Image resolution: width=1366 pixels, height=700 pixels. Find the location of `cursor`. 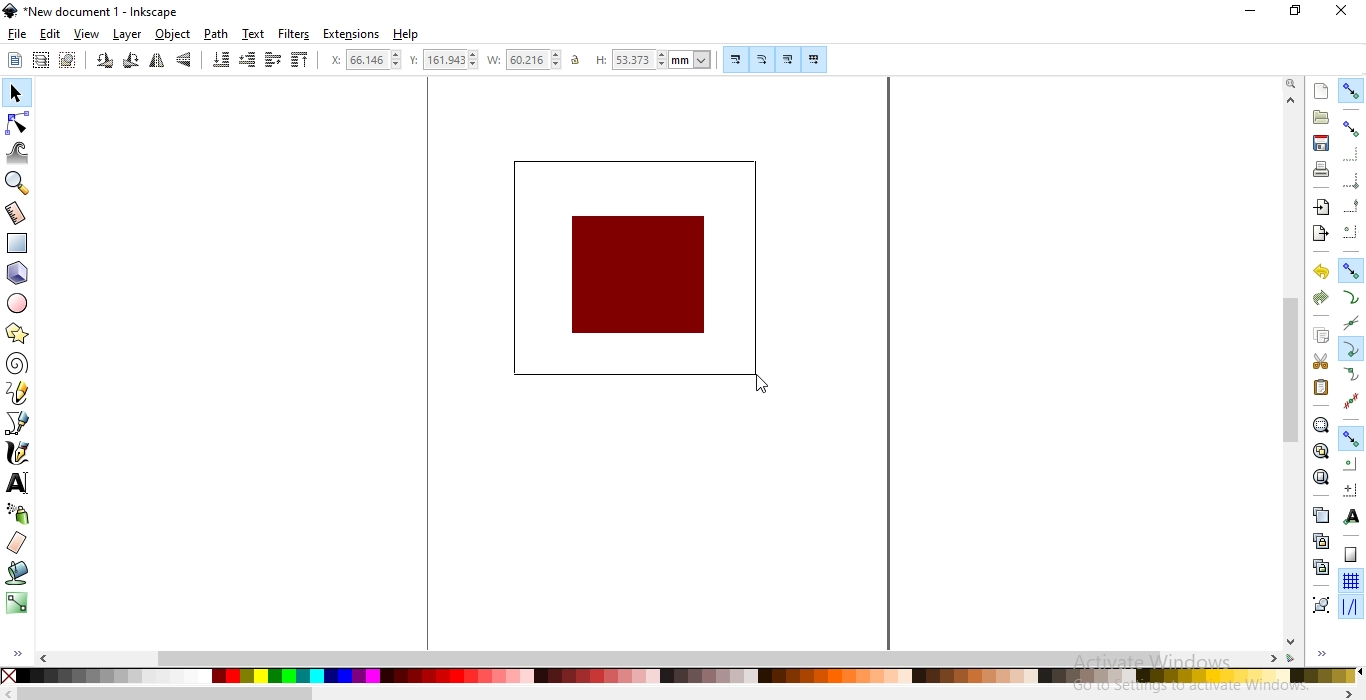

cursor is located at coordinates (760, 385).